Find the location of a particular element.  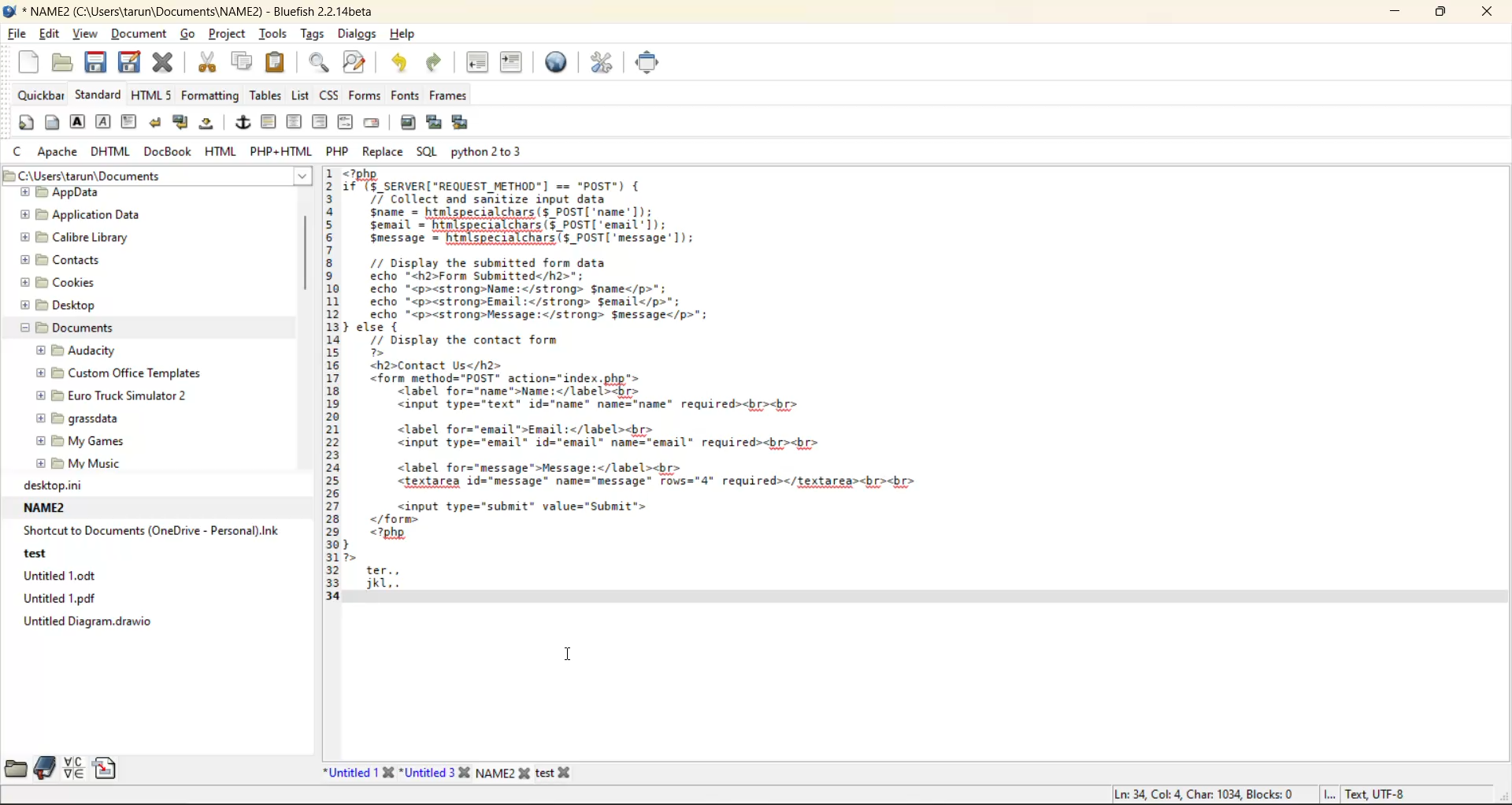

Text, UTF-8 is located at coordinates (1366, 795).